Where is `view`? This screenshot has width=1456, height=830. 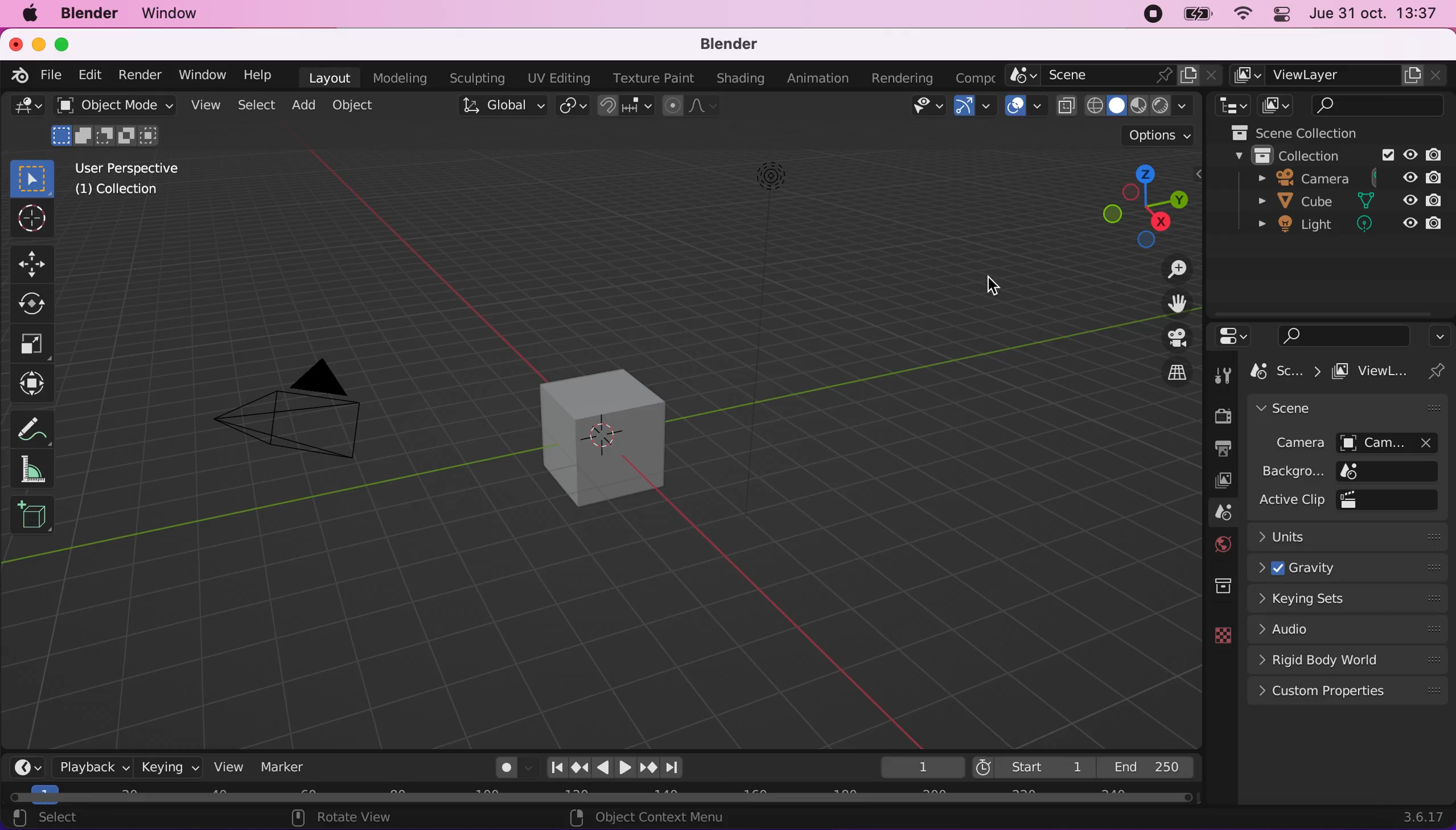 view is located at coordinates (227, 767).